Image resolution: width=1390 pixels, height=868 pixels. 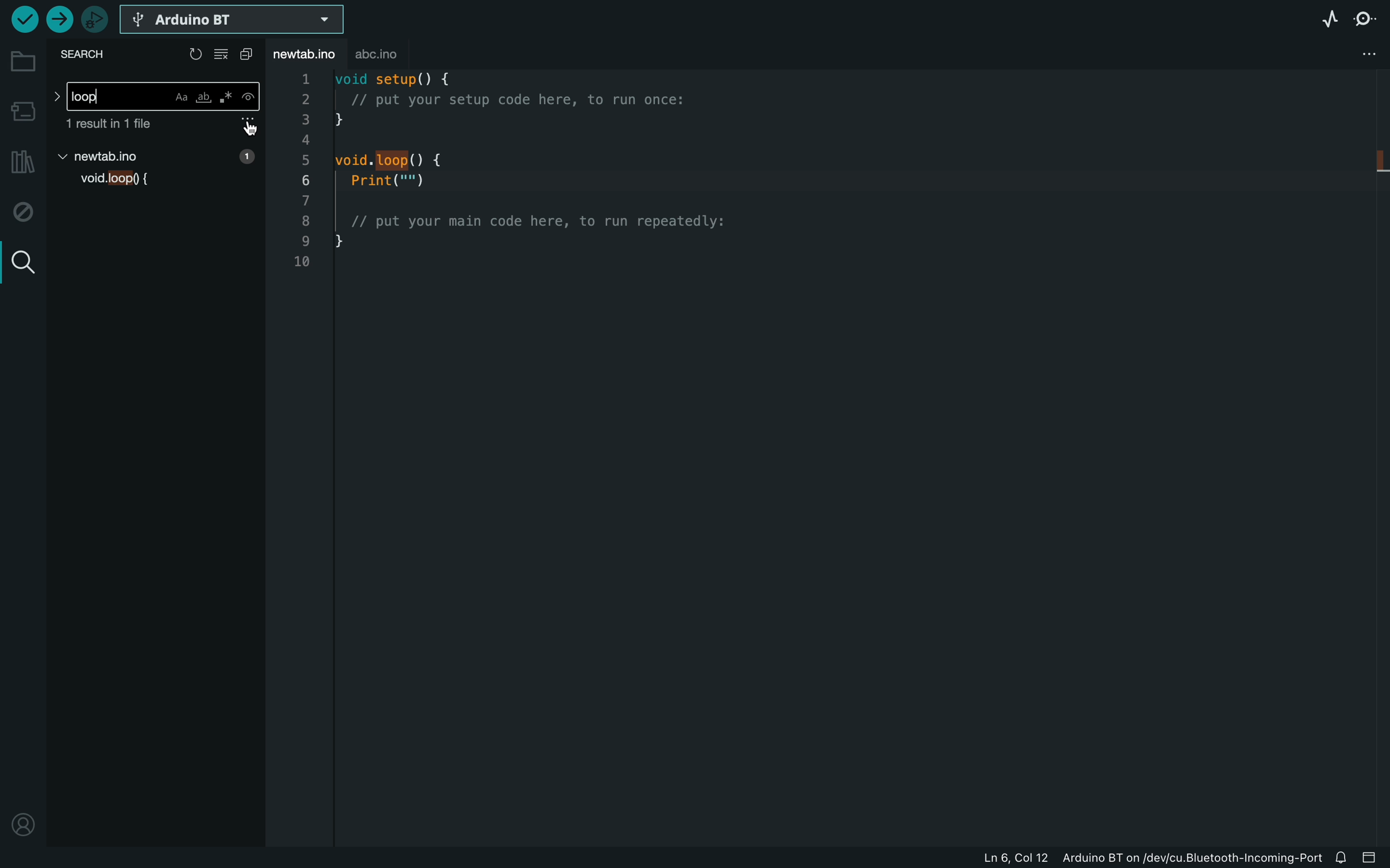 What do you see at coordinates (1327, 21) in the screenshot?
I see `serial plotter` at bounding box center [1327, 21].